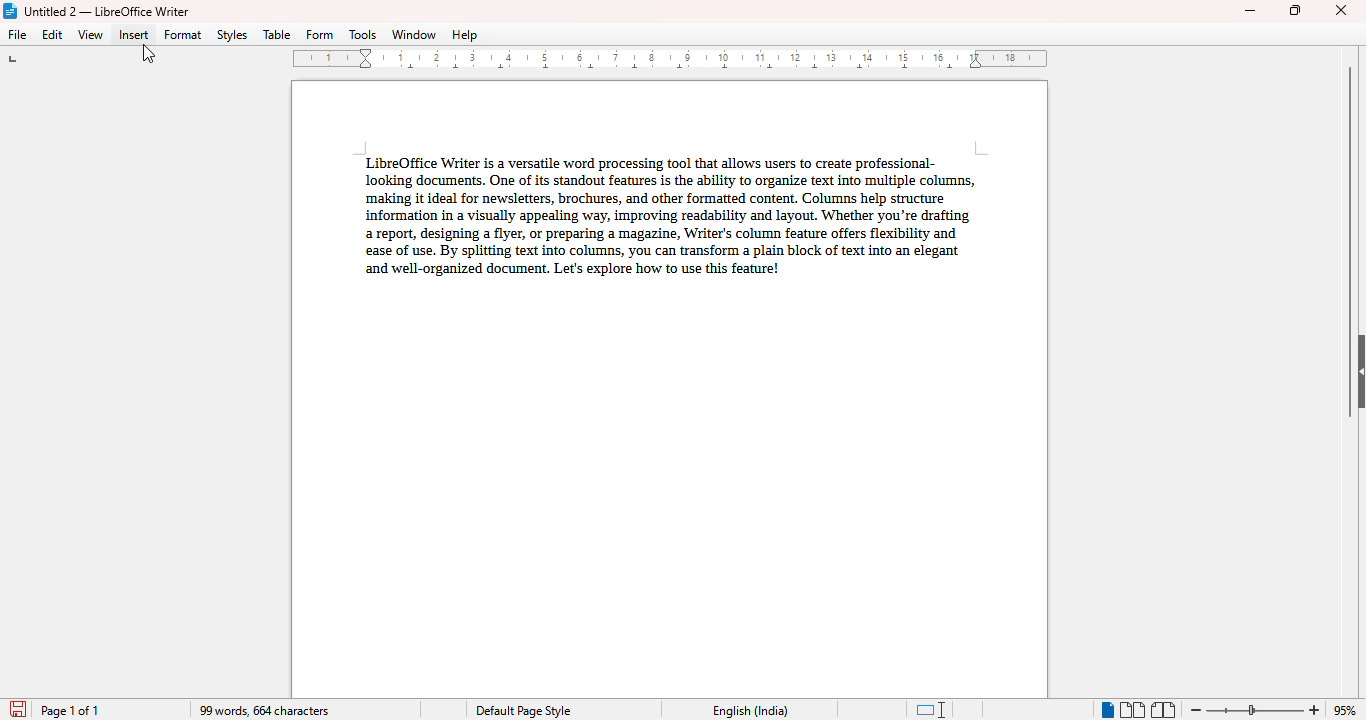  I want to click on minimize, so click(1250, 11).